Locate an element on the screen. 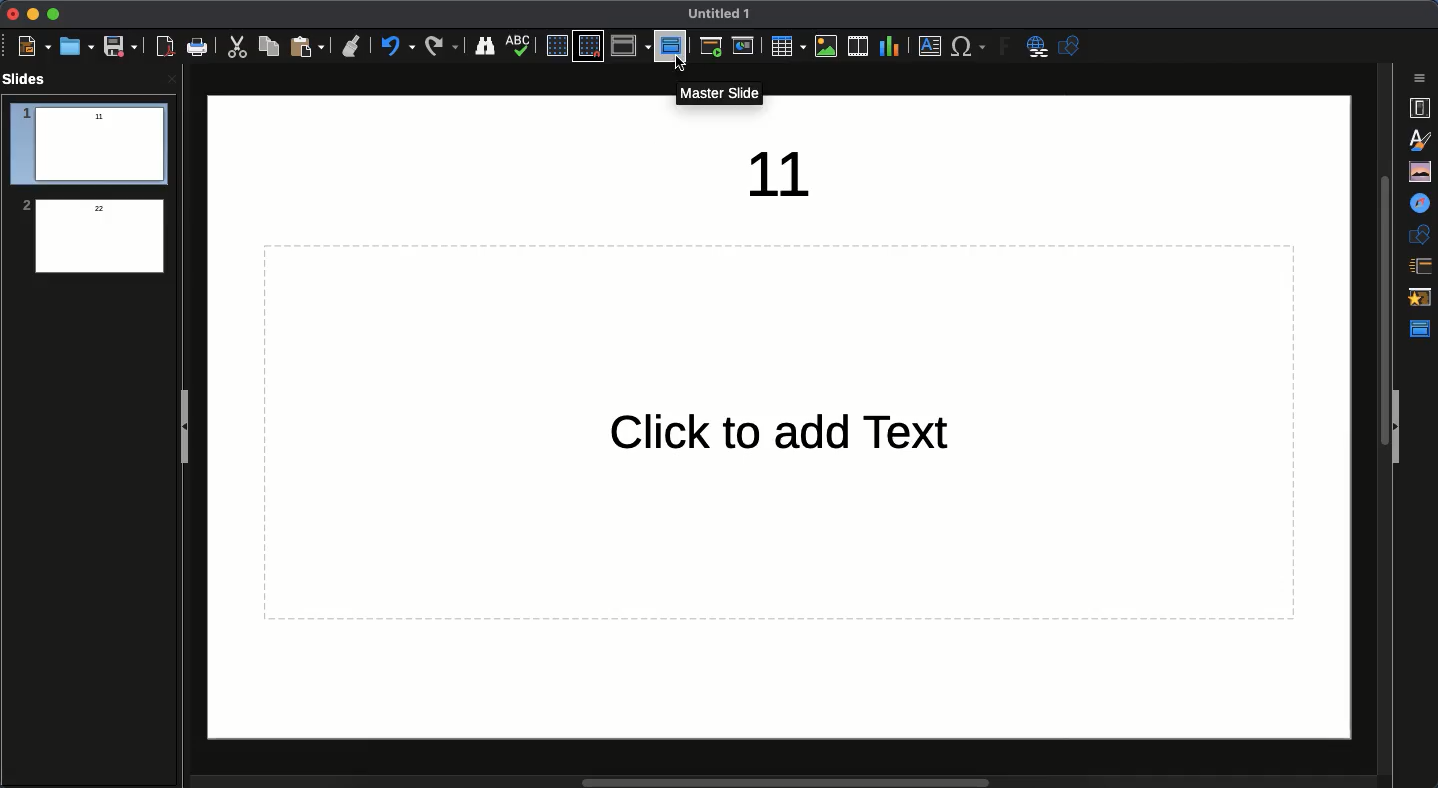  Properties is located at coordinates (1419, 108).